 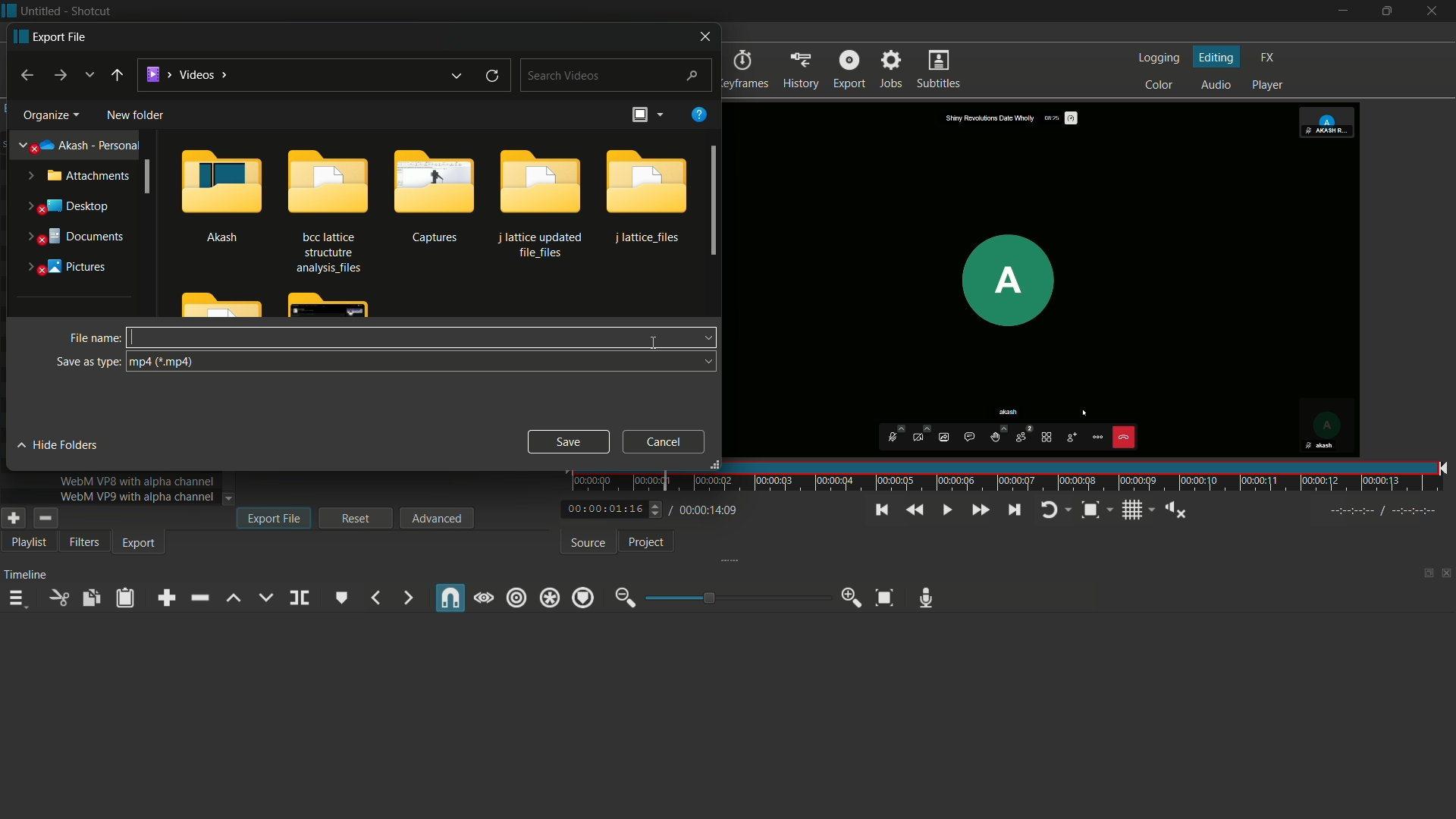 What do you see at coordinates (802, 71) in the screenshot?
I see `export` at bounding box center [802, 71].